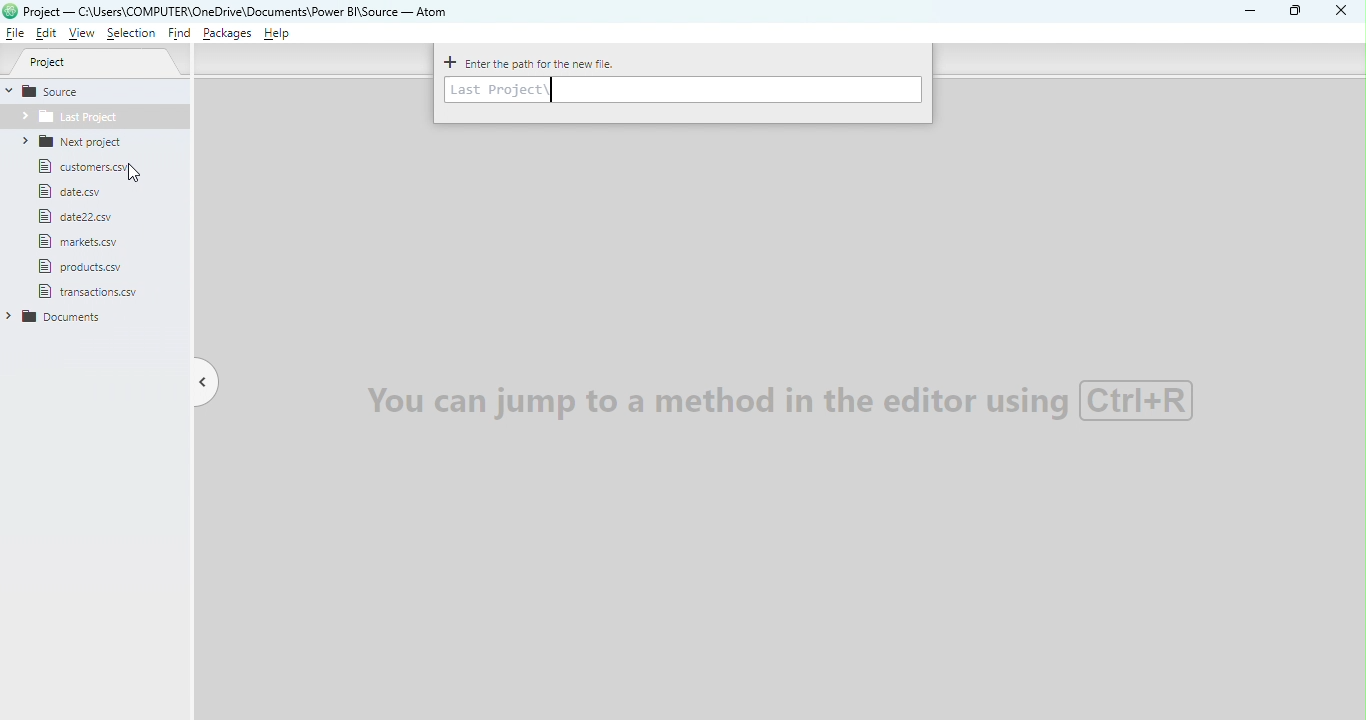  Describe the element at coordinates (93, 119) in the screenshot. I see `Folder` at that location.